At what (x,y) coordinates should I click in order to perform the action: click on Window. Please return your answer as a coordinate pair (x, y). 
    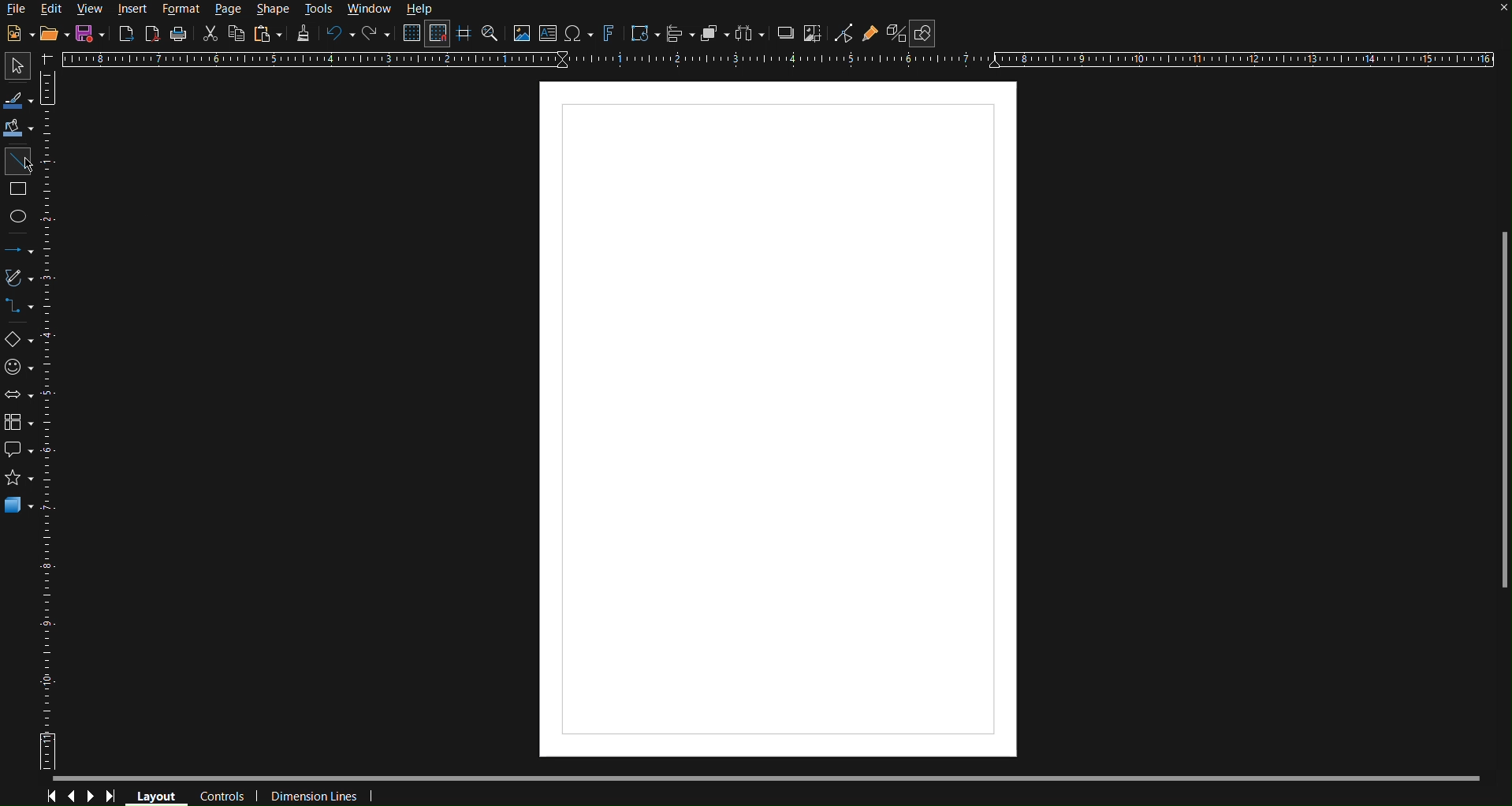
    Looking at the image, I should click on (368, 9).